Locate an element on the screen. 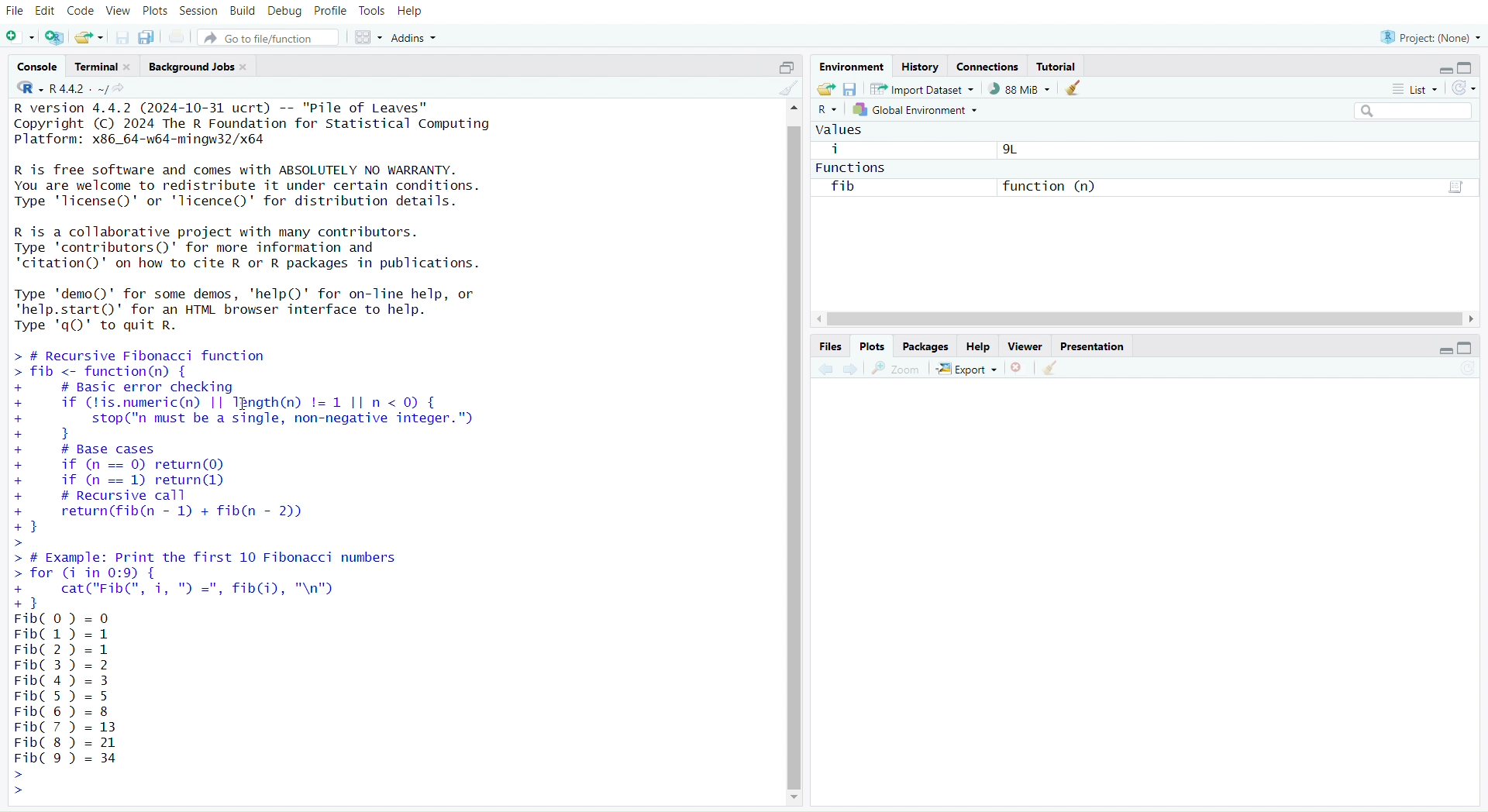 This screenshot has height=812, width=1488. save all open documents is located at coordinates (146, 36).